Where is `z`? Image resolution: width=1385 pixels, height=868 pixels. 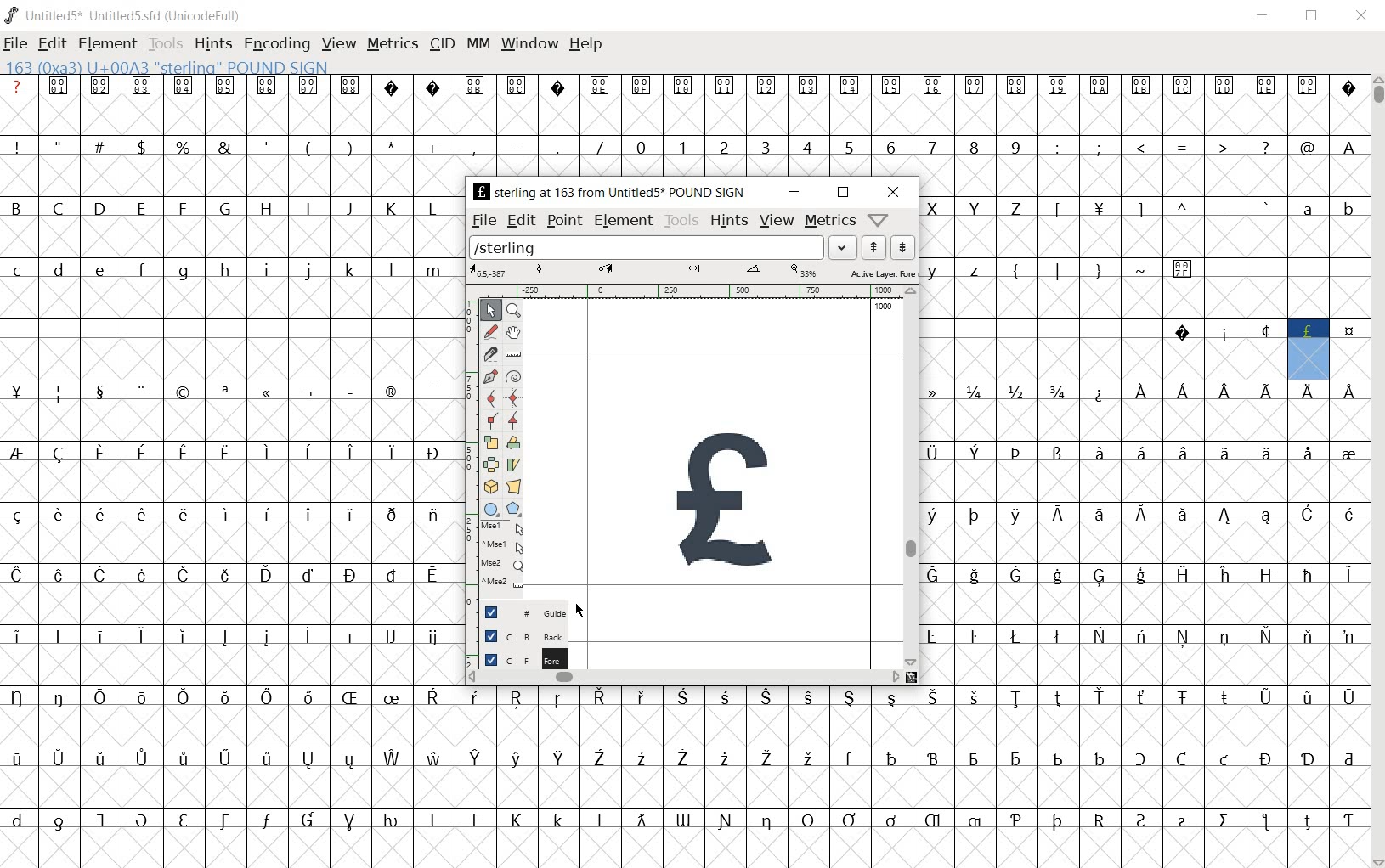 z is located at coordinates (975, 268).